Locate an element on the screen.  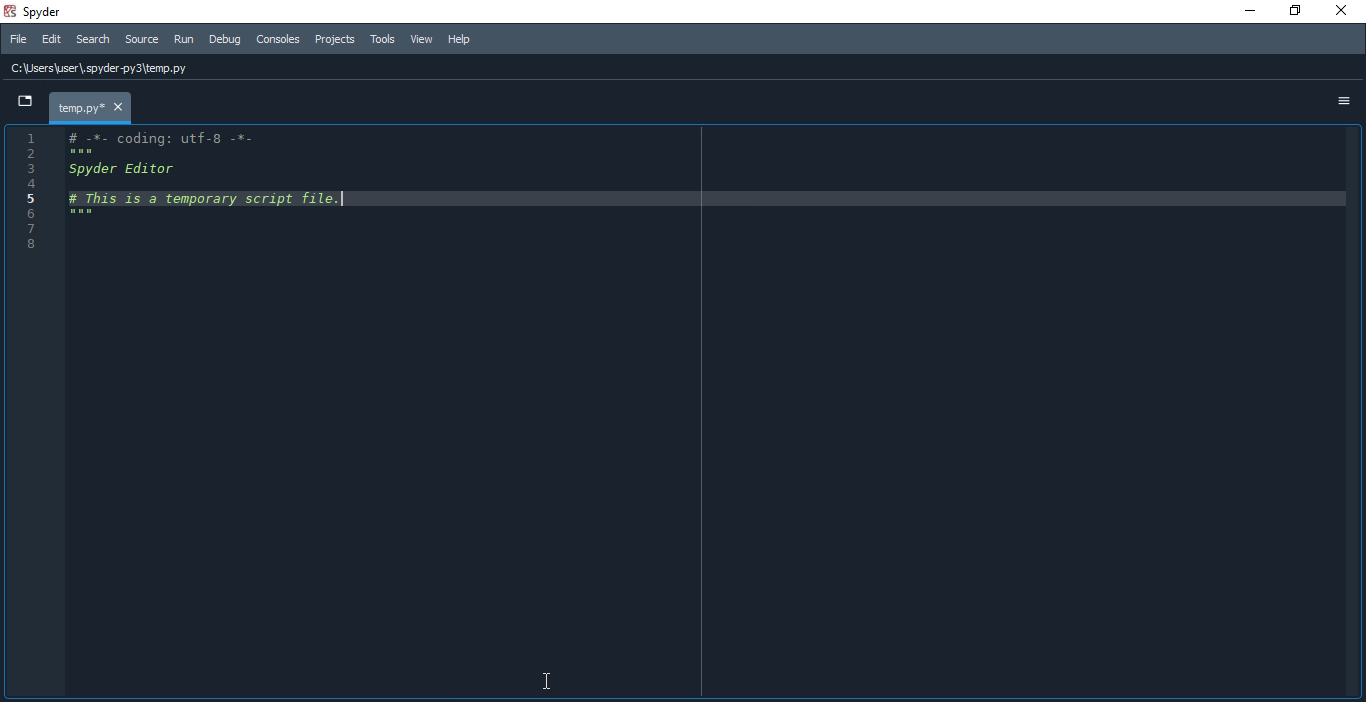
code is located at coordinates (205, 183).